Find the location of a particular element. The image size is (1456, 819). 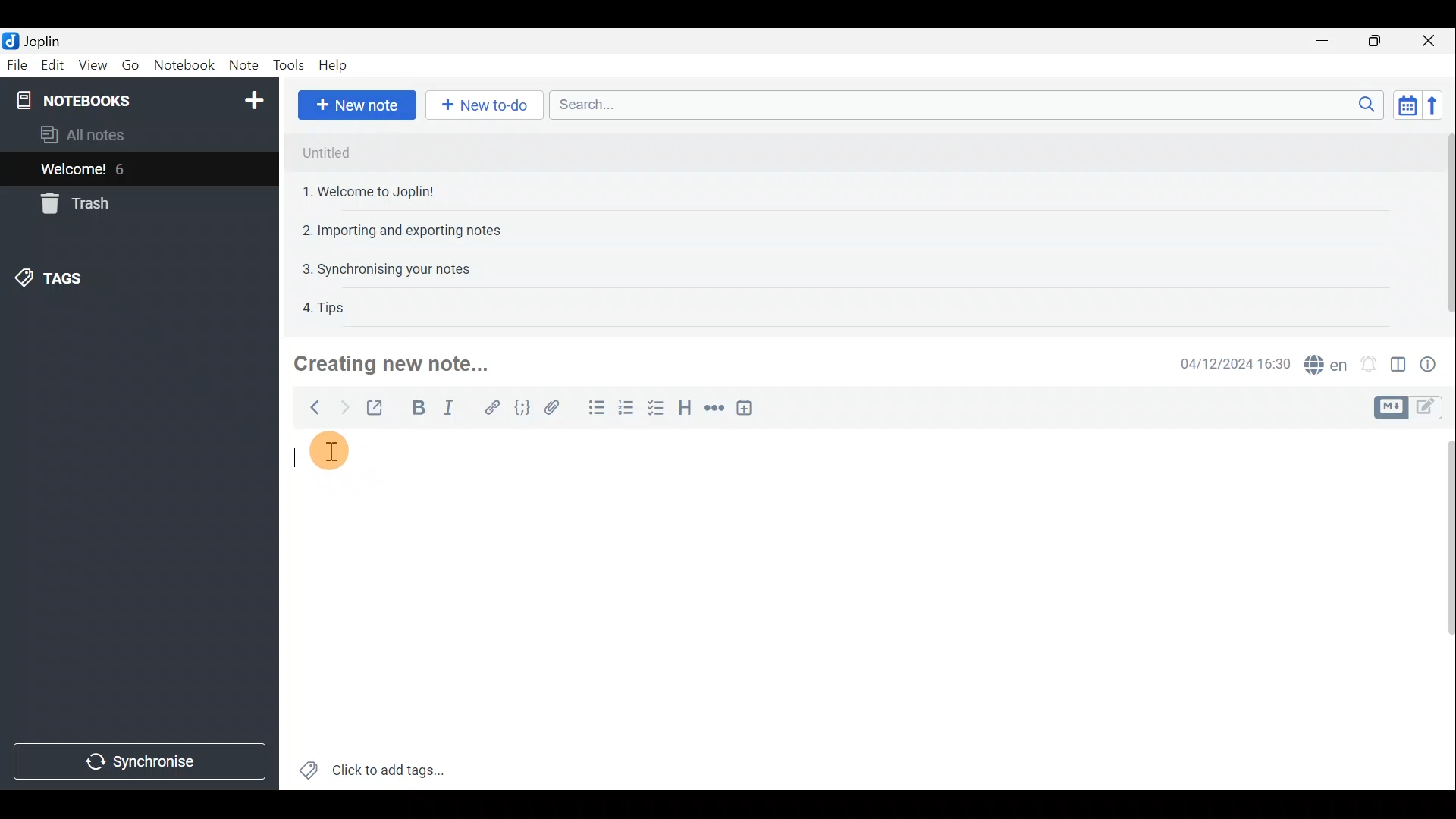

Bold is located at coordinates (416, 408).